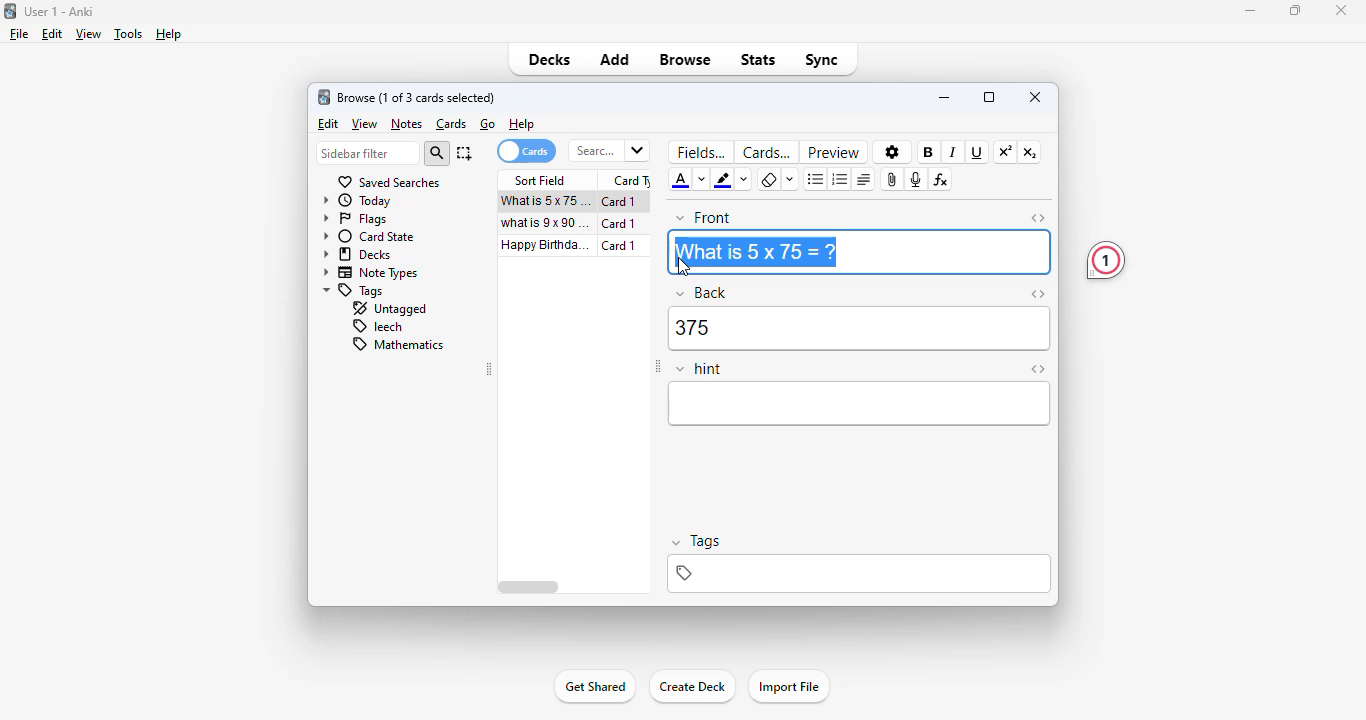  Describe the element at coordinates (551, 59) in the screenshot. I see `decks` at that location.